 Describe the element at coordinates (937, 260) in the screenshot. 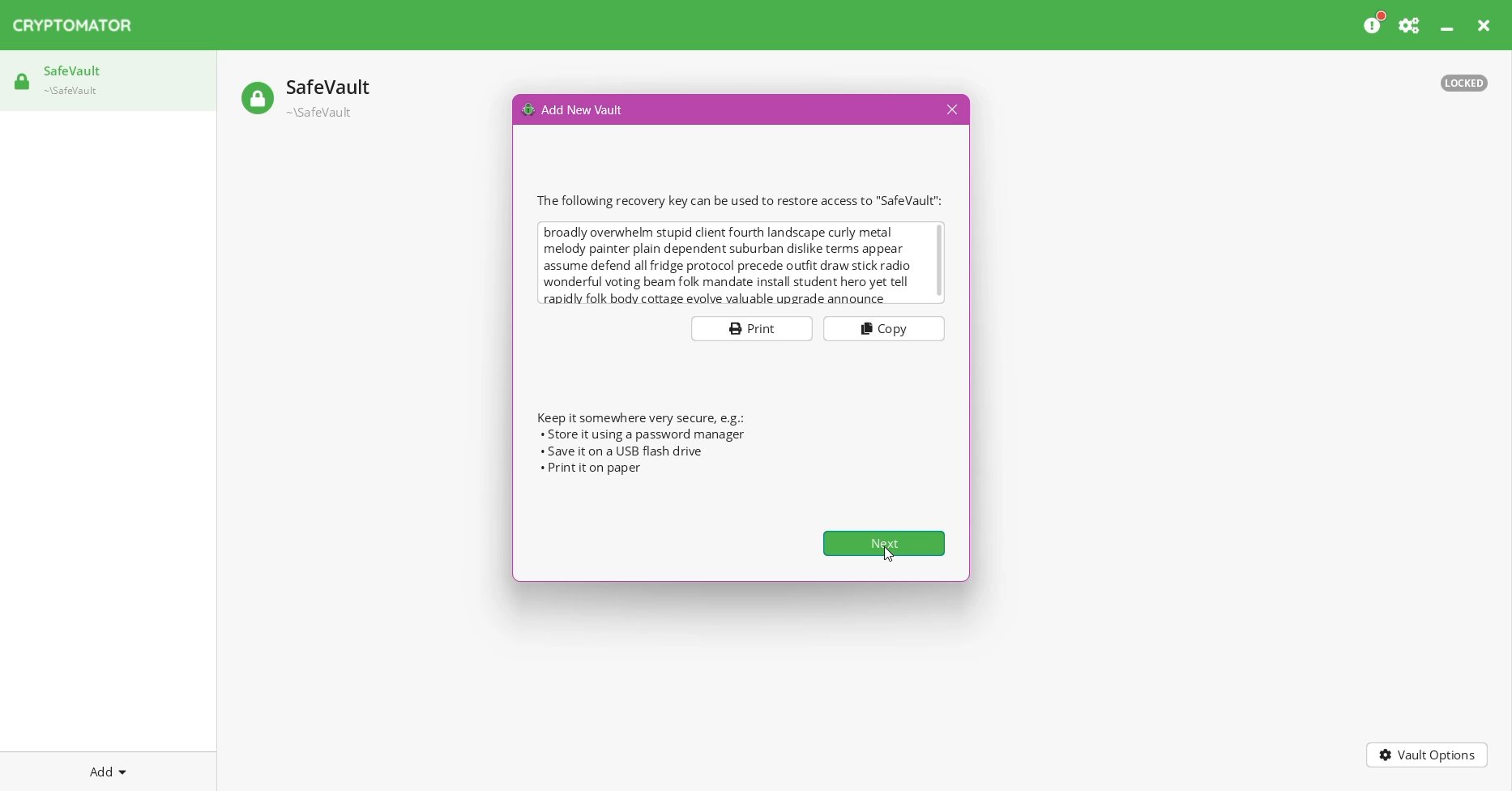

I see `Vertical scroll bar` at that location.